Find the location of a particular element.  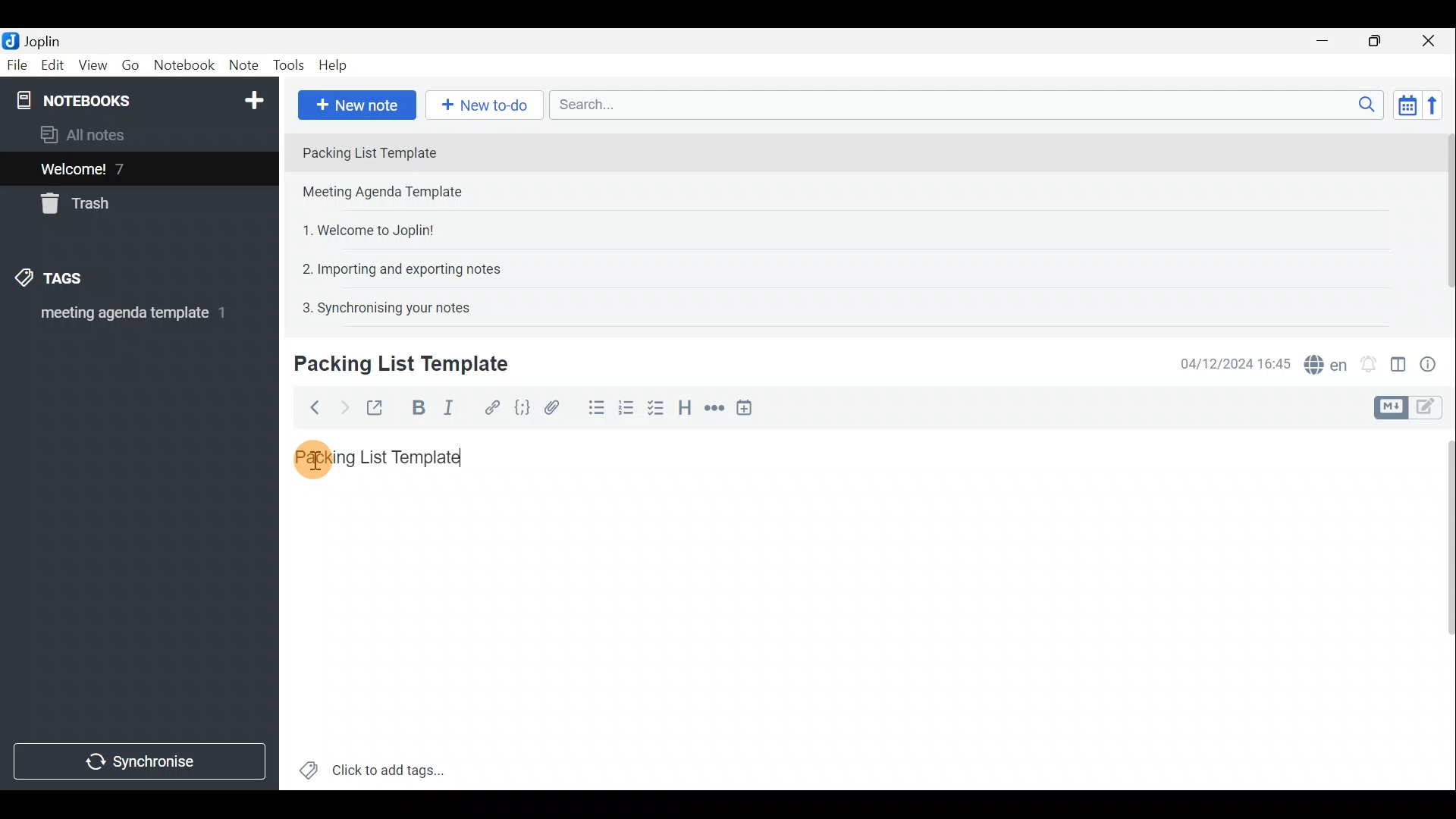

Numbered list is located at coordinates (630, 412).